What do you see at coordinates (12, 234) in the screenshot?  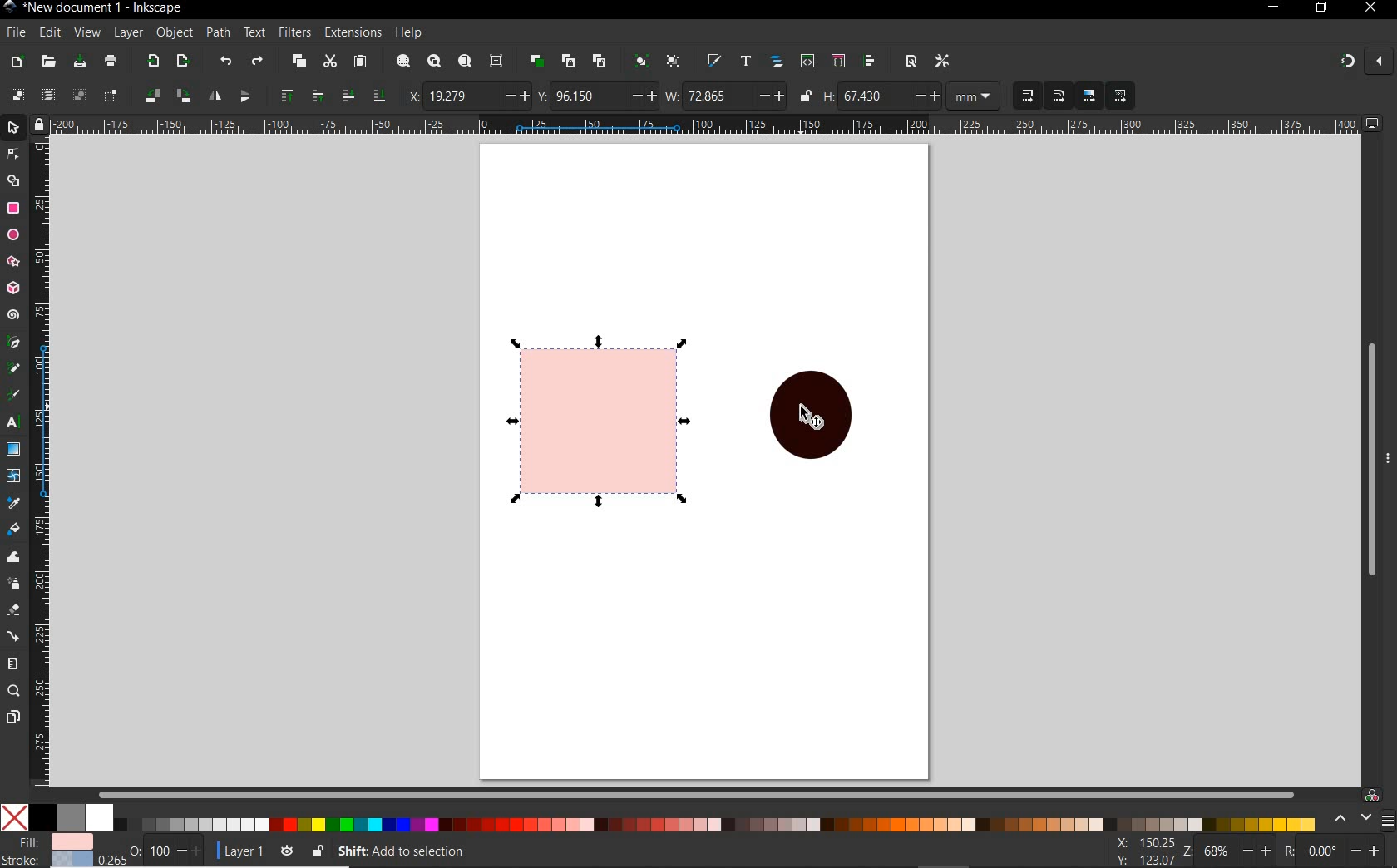 I see `ellipse ,arc tool` at bounding box center [12, 234].